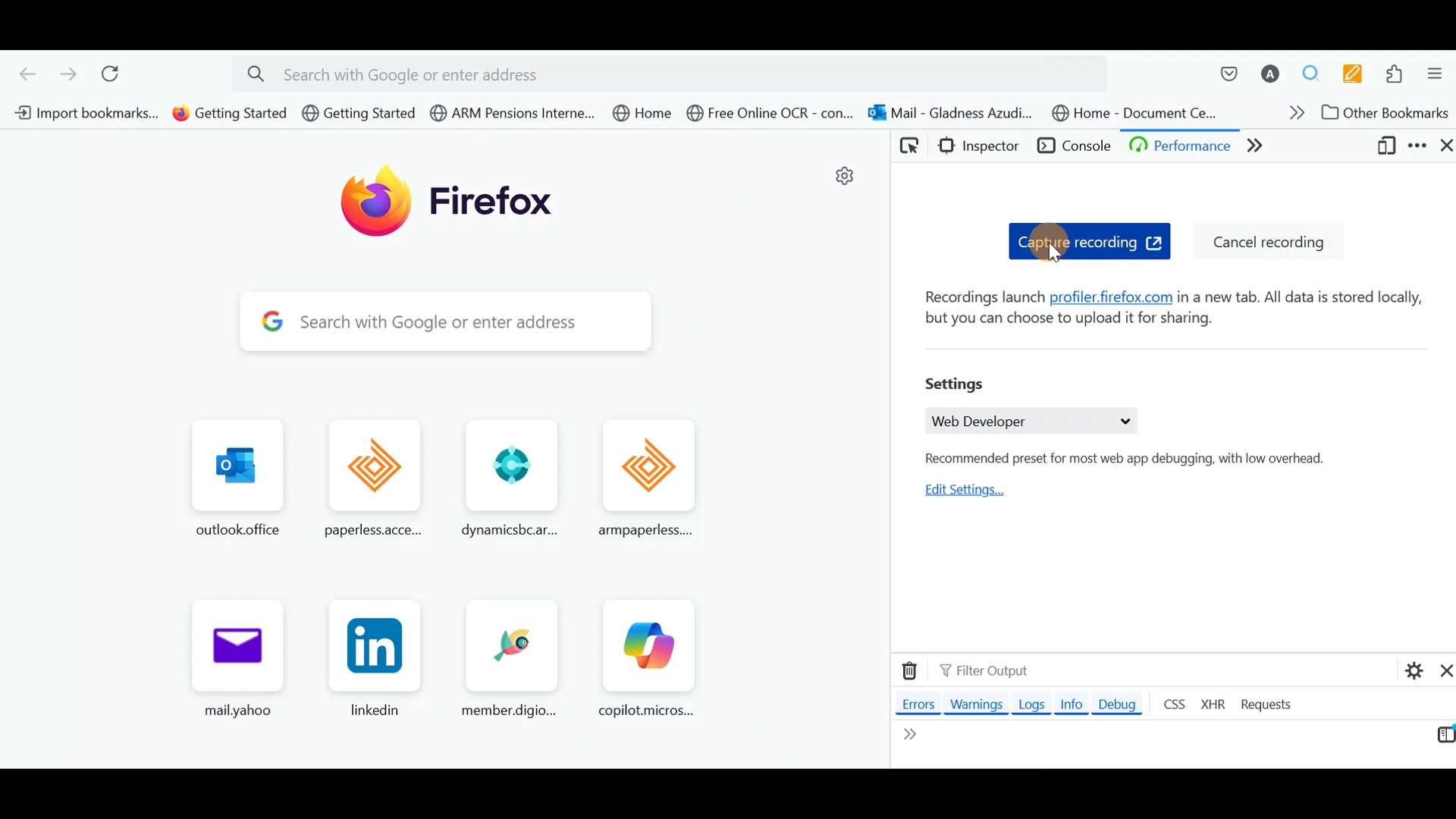 The image size is (1456, 819). Describe the element at coordinates (512, 113) in the screenshot. I see `Bookmark 4` at that location.